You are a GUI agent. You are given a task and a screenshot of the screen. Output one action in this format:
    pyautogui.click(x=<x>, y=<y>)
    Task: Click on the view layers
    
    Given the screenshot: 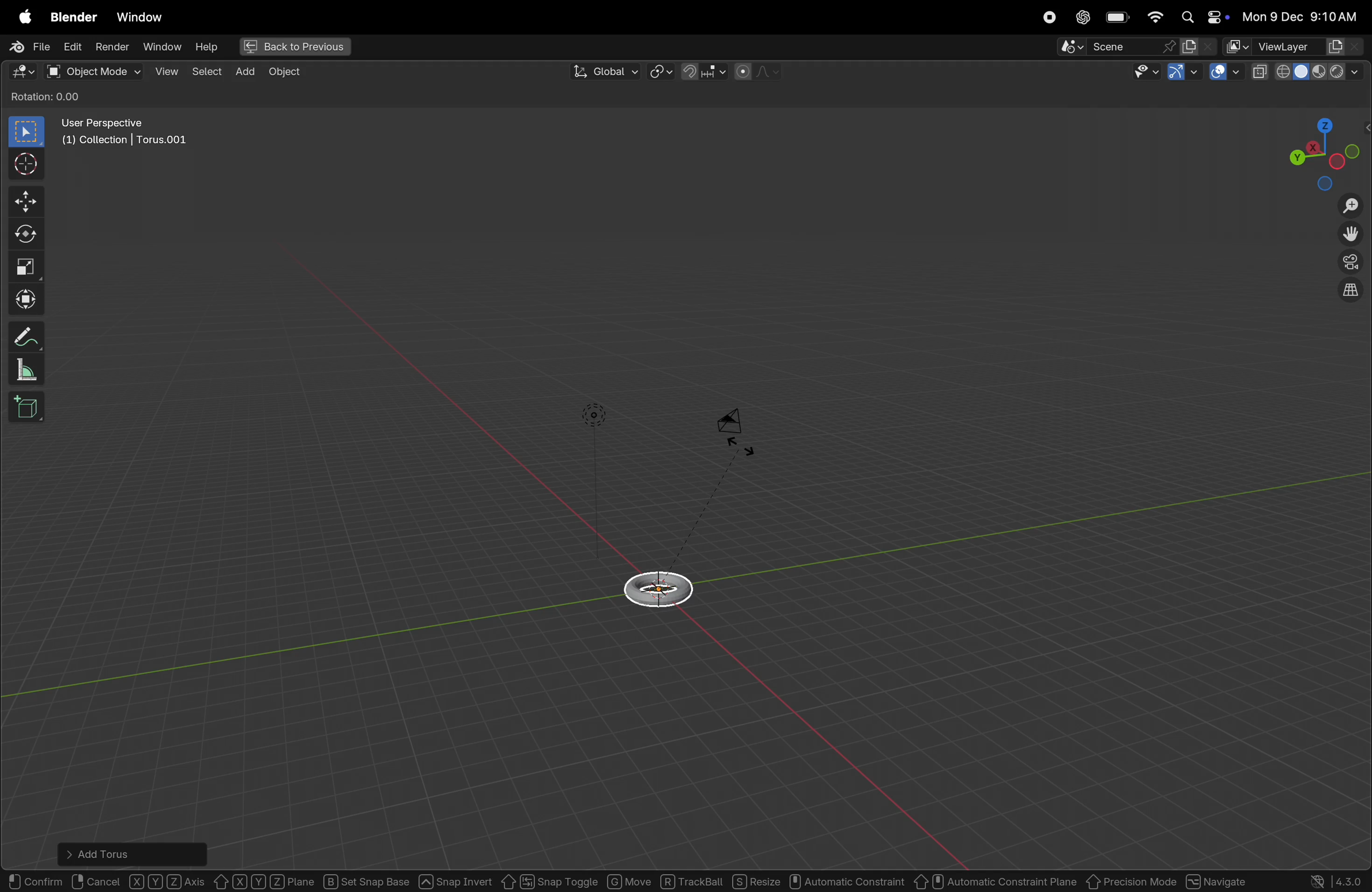 What is the action you would take?
    pyautogui.click(x=1310, y=47)
    